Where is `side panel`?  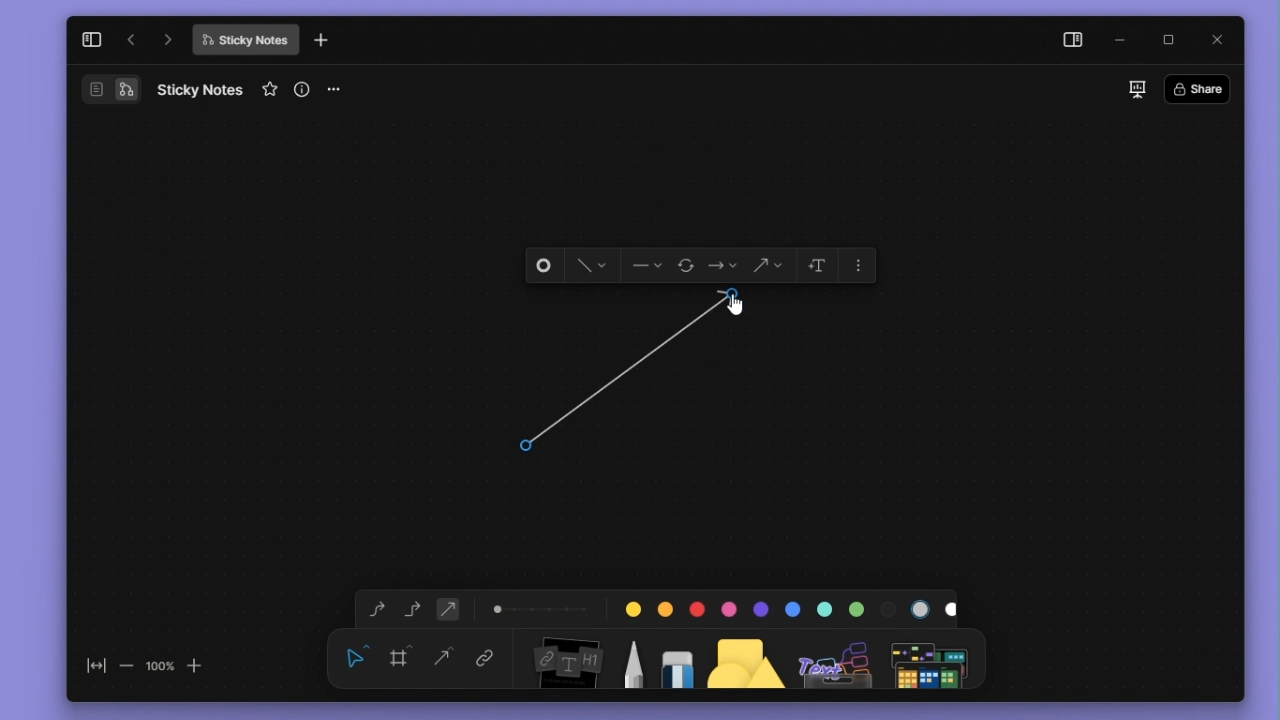 side panel is located at coordinates (1069, 42).